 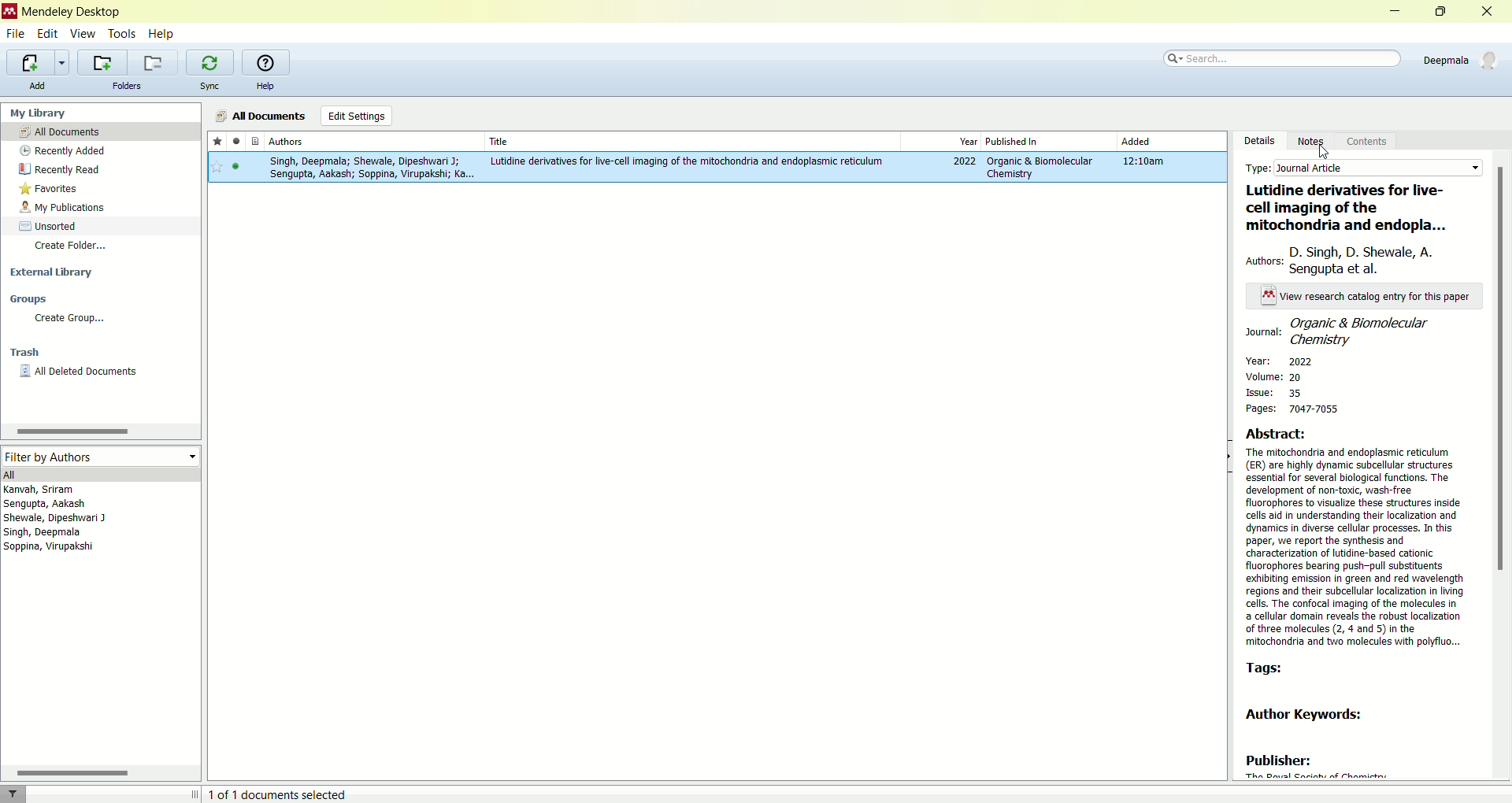 What do you see at coordinates (689, 139) in the screenshot?
I see `Title` at bounding box center [689, 139].